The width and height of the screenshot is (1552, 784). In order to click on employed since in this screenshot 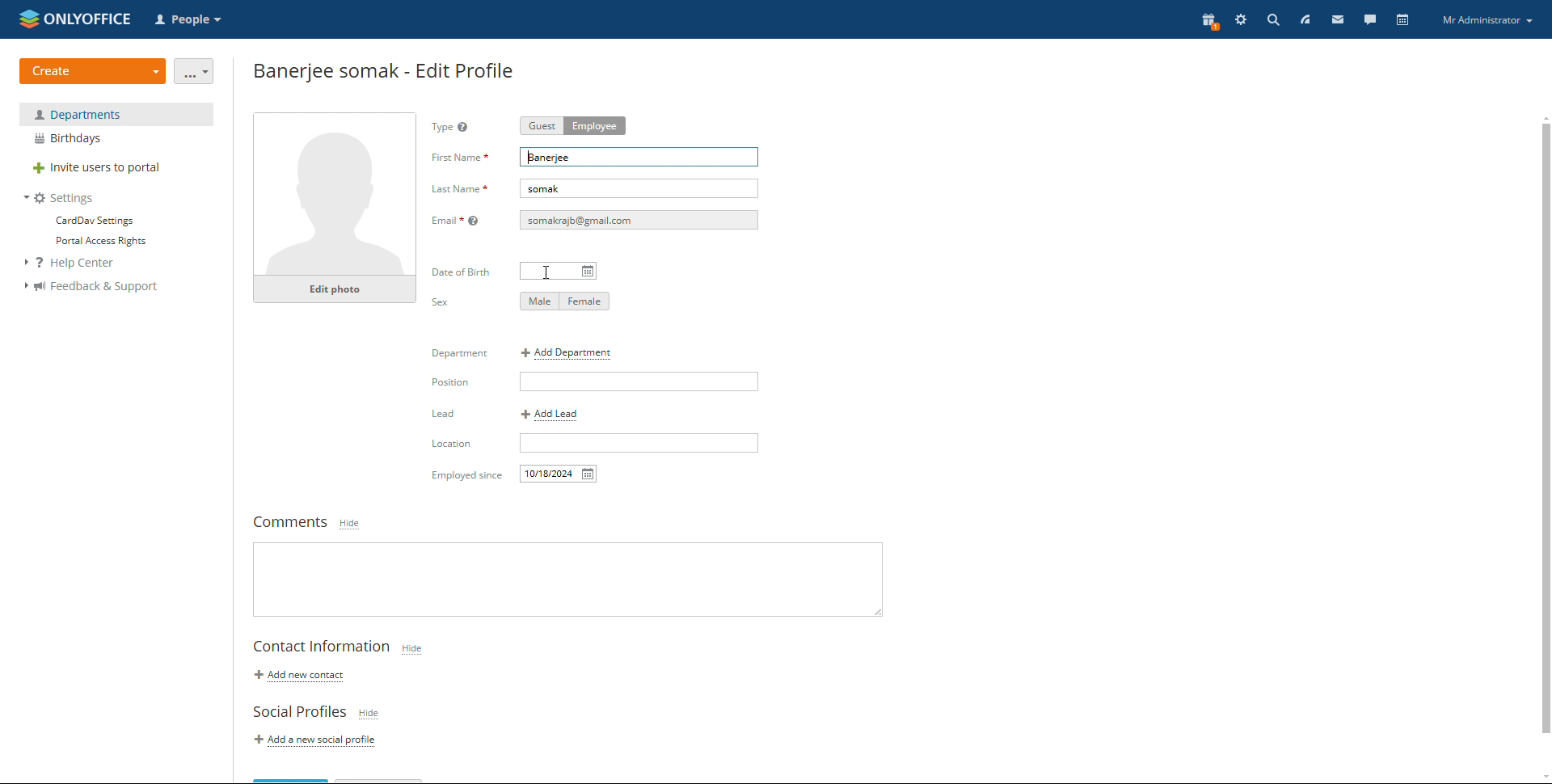, I will do `click(559, 474)`.